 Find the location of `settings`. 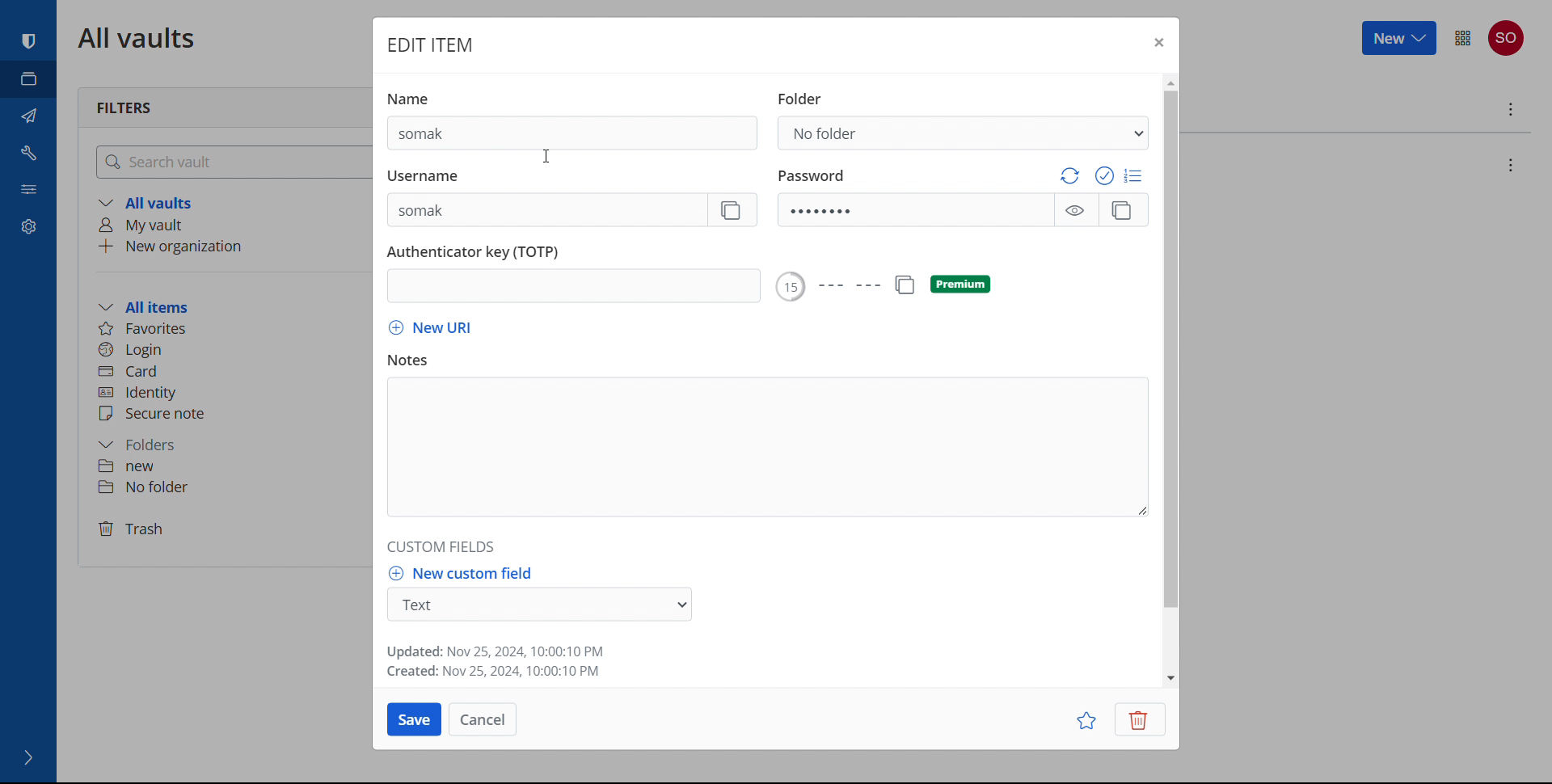

settings is located at coordinates (28, 224).